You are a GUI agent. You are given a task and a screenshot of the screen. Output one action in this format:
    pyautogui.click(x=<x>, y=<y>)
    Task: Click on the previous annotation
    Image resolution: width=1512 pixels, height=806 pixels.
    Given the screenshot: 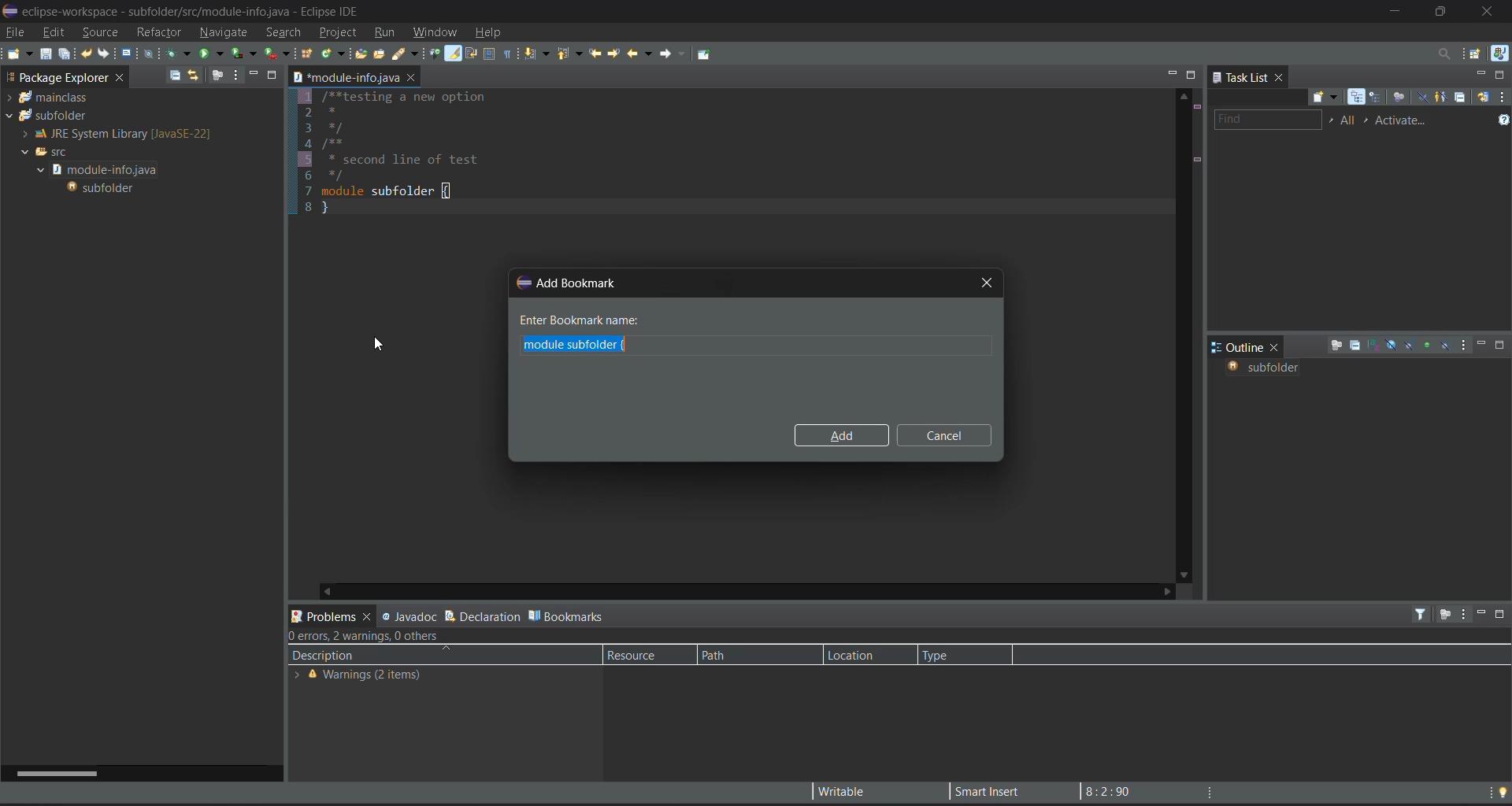 What is the action you would take?
    pyautogui.click(x=573, y=54)
    